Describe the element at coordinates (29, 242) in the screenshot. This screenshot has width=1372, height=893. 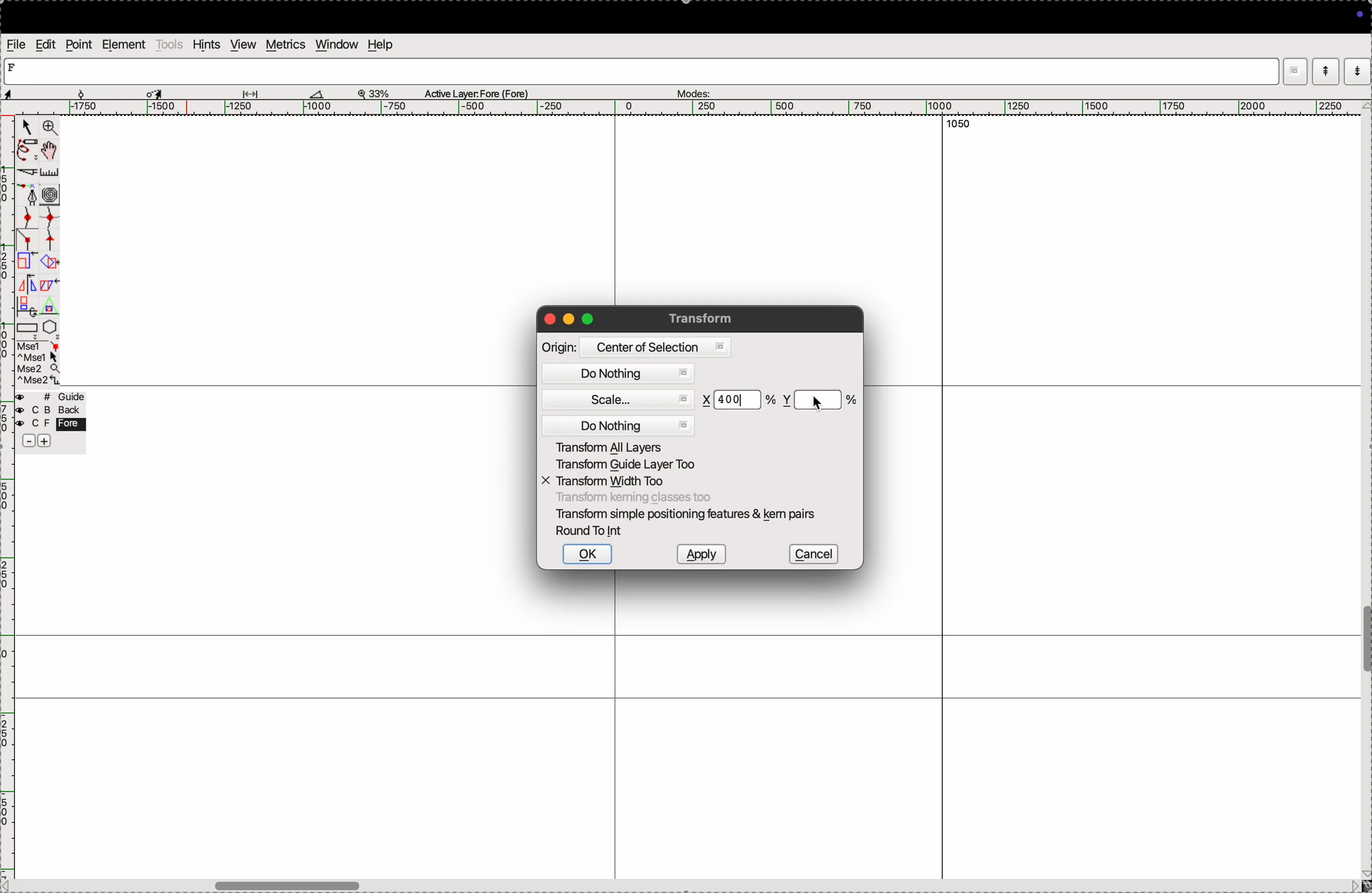
I see `line` at that location.